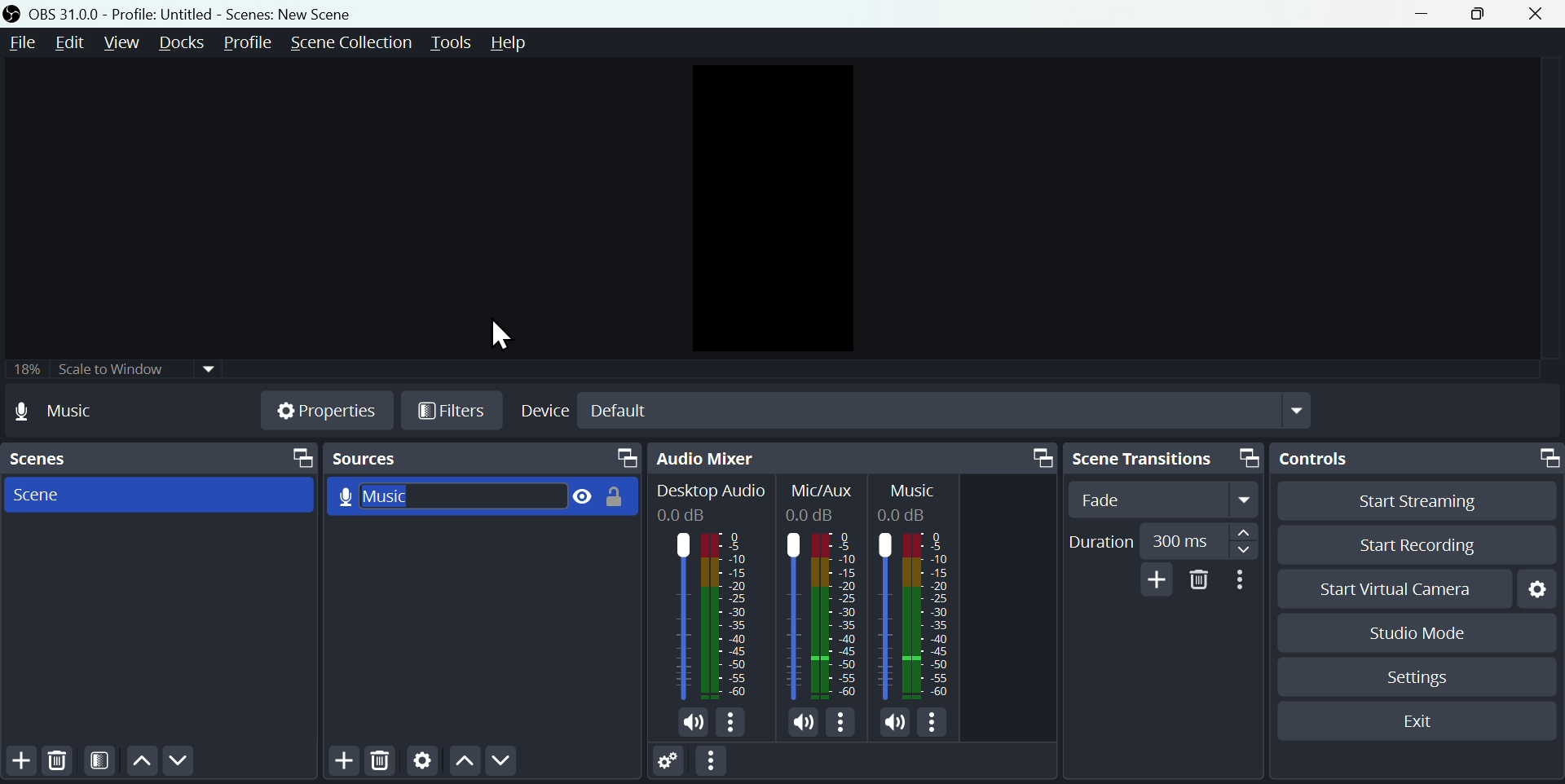 The height and width of the screenshot is (784, 1565). What do you see at coordinates (342, 763) in the screenshot?
I see `Add` at bounding box center [342, 763].